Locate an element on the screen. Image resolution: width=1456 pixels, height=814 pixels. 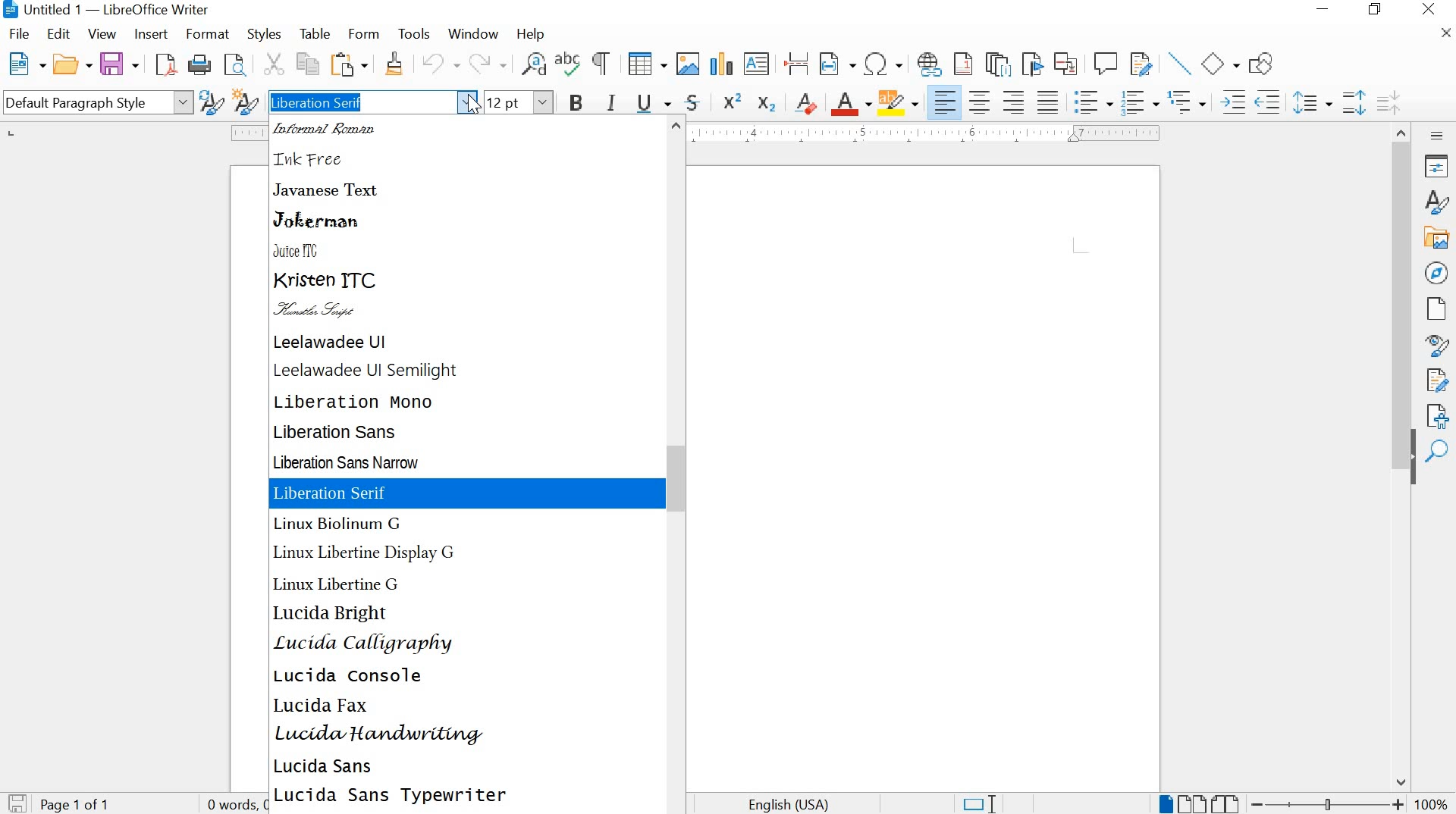
TEXT LANGUAGe is located at coordinates (797, 803).